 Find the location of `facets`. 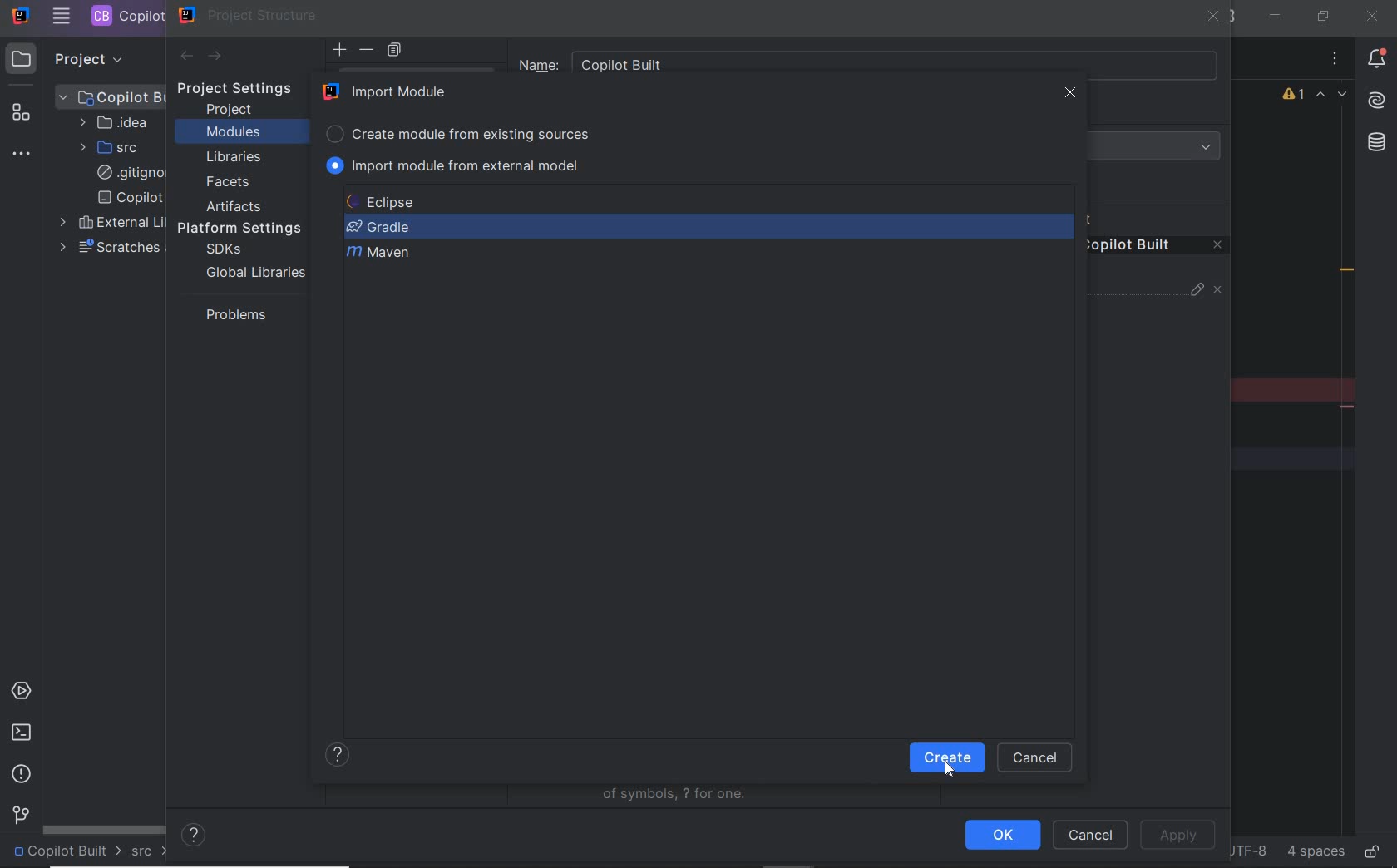

facets is located at coordinates (229, 183).